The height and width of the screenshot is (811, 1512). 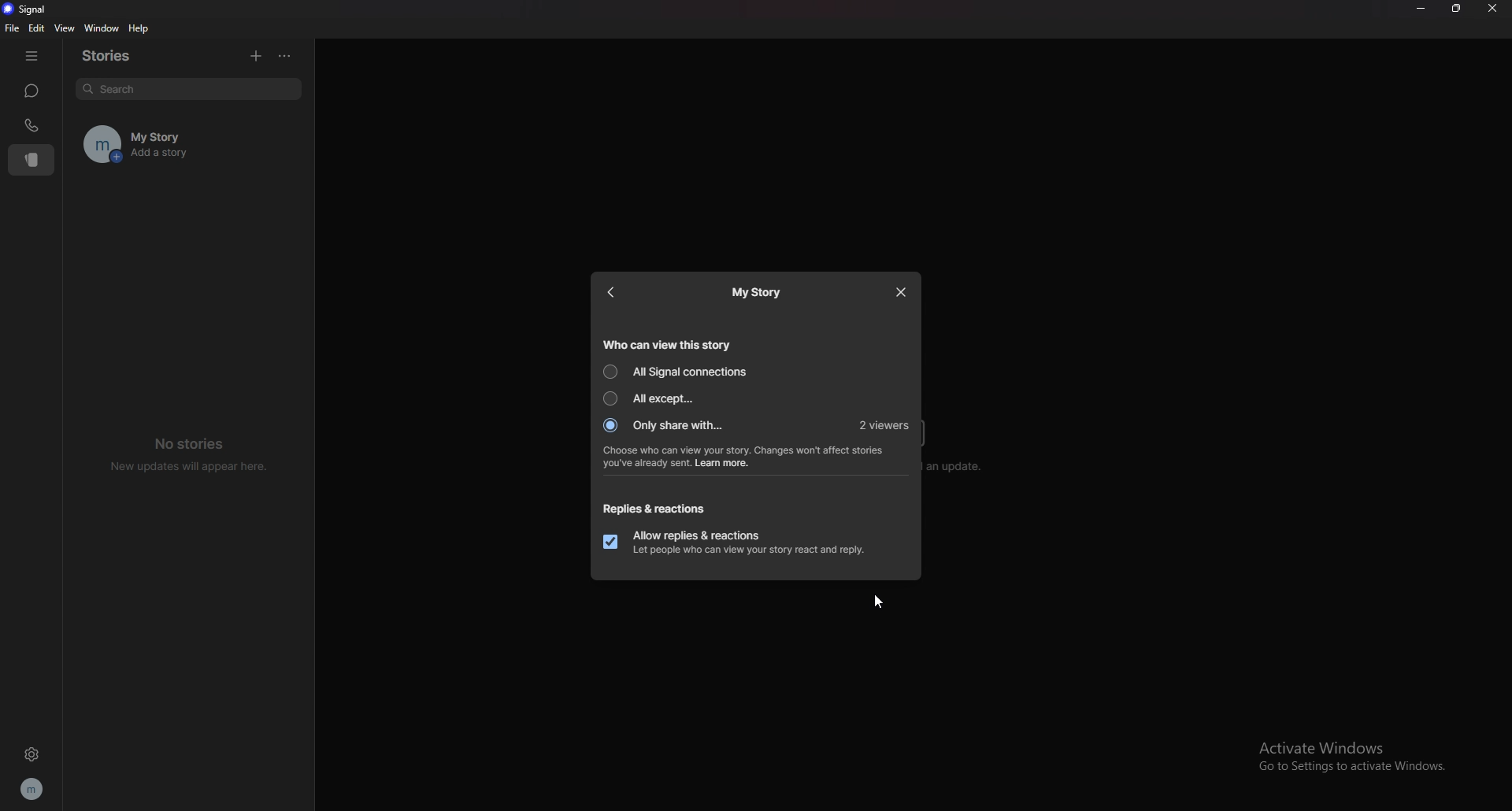 What do you see at coordinates (32, 91) in the screenshot?
I see `chats` at bounding box center [32, 91].